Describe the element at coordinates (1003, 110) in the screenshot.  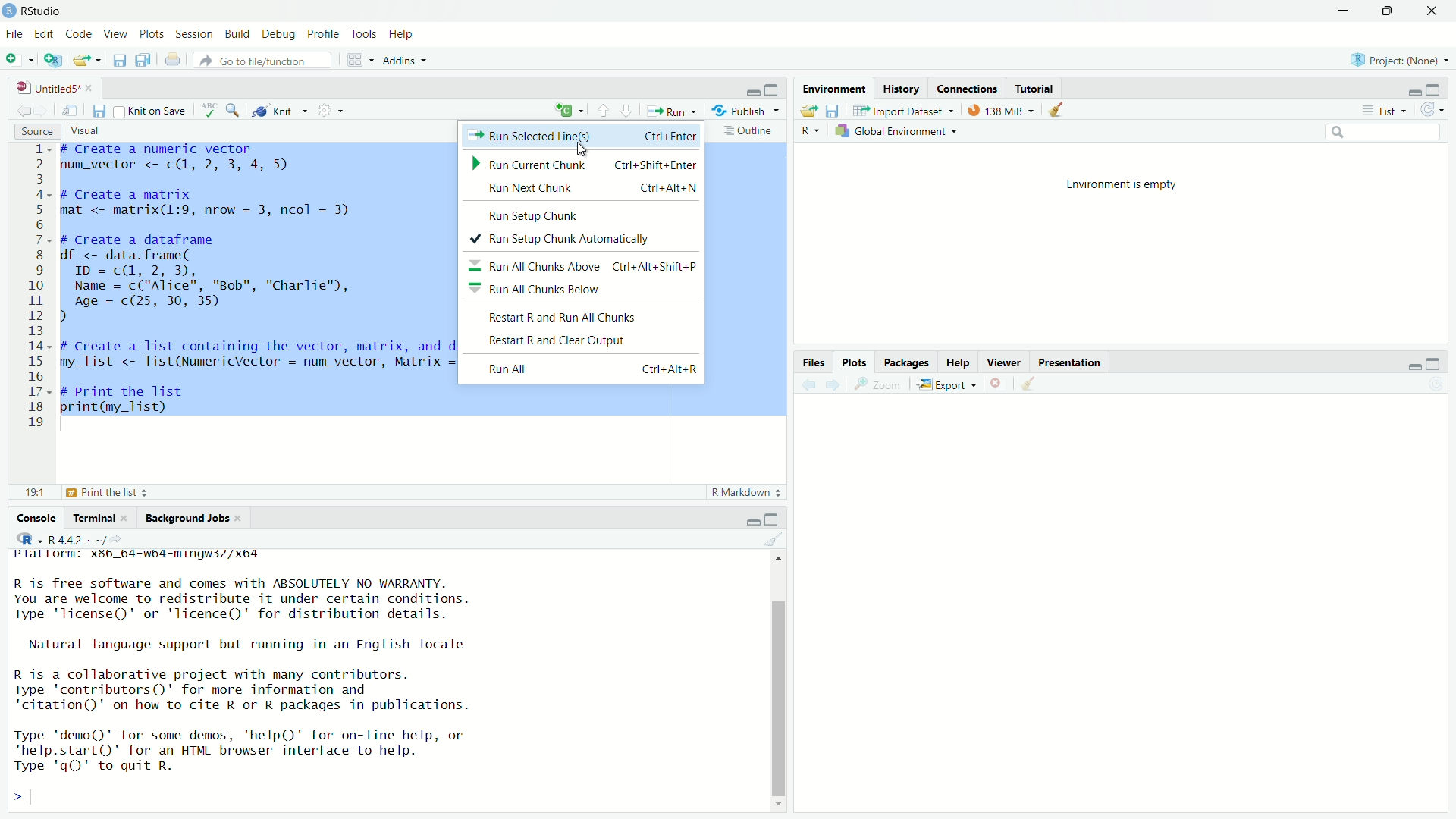
I see `138 MiB ~` at that location.